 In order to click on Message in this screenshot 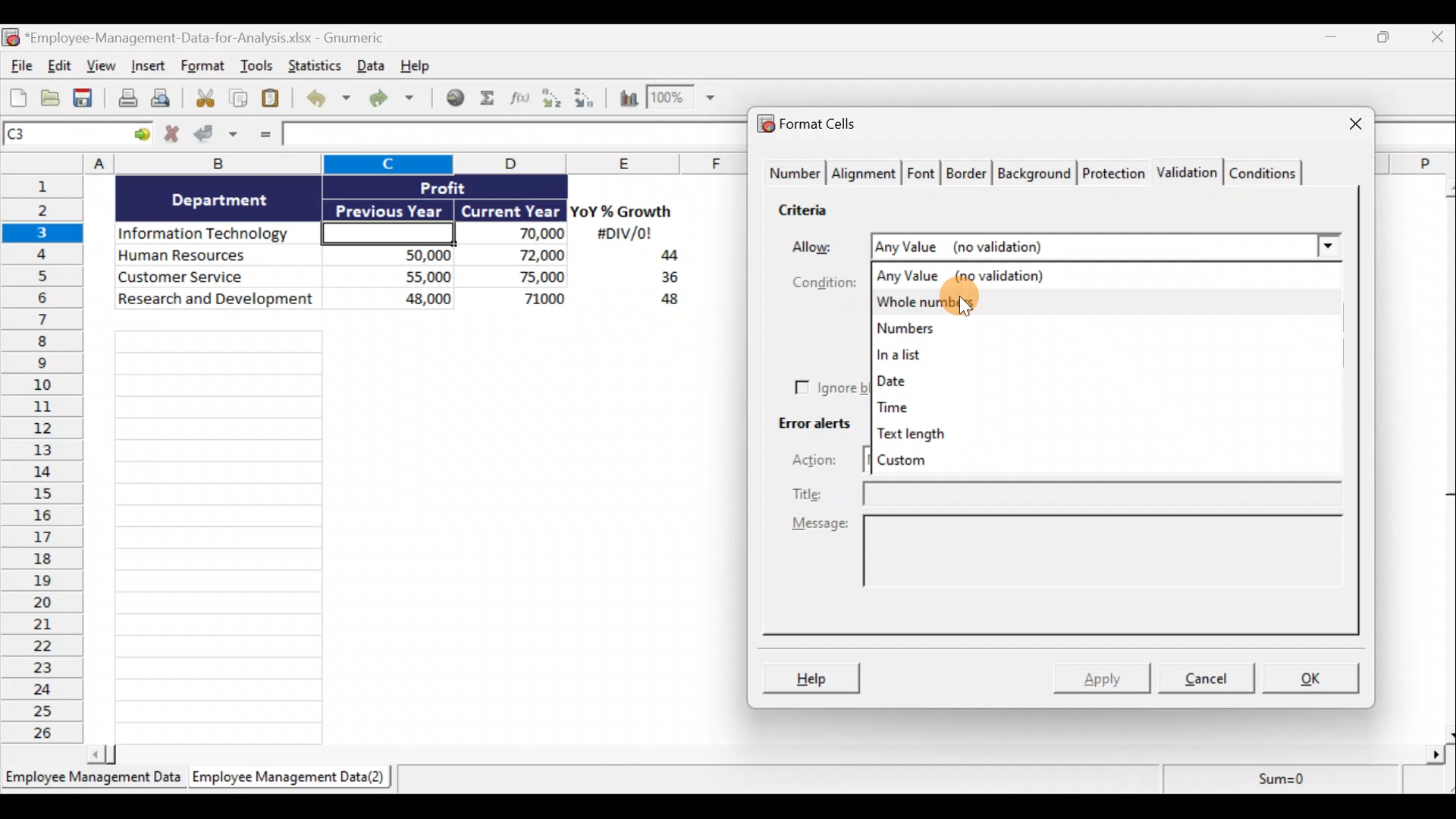, I will do `click(1064, 563)`.